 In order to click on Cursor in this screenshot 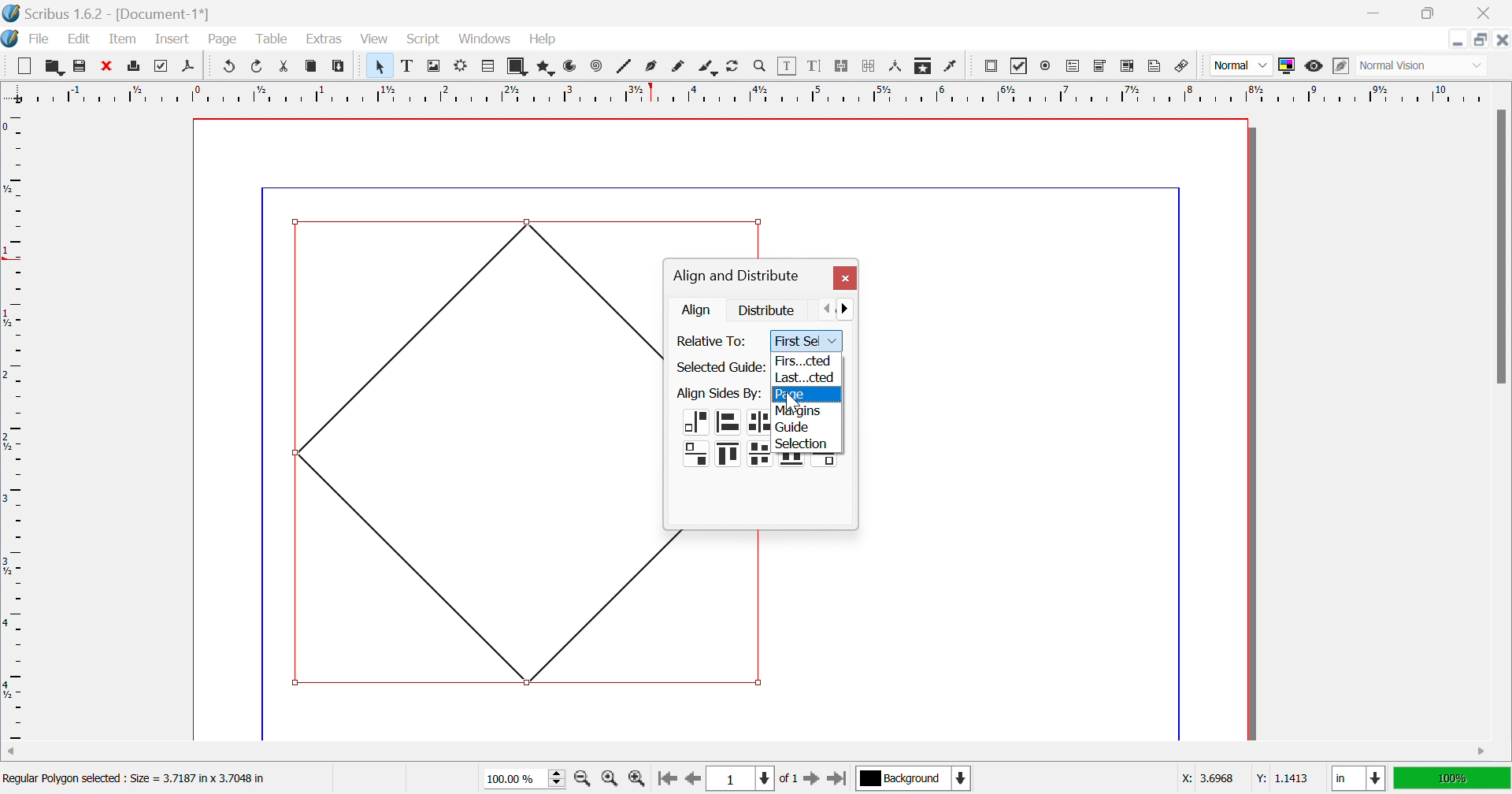, I will do `click(498, 46)`.